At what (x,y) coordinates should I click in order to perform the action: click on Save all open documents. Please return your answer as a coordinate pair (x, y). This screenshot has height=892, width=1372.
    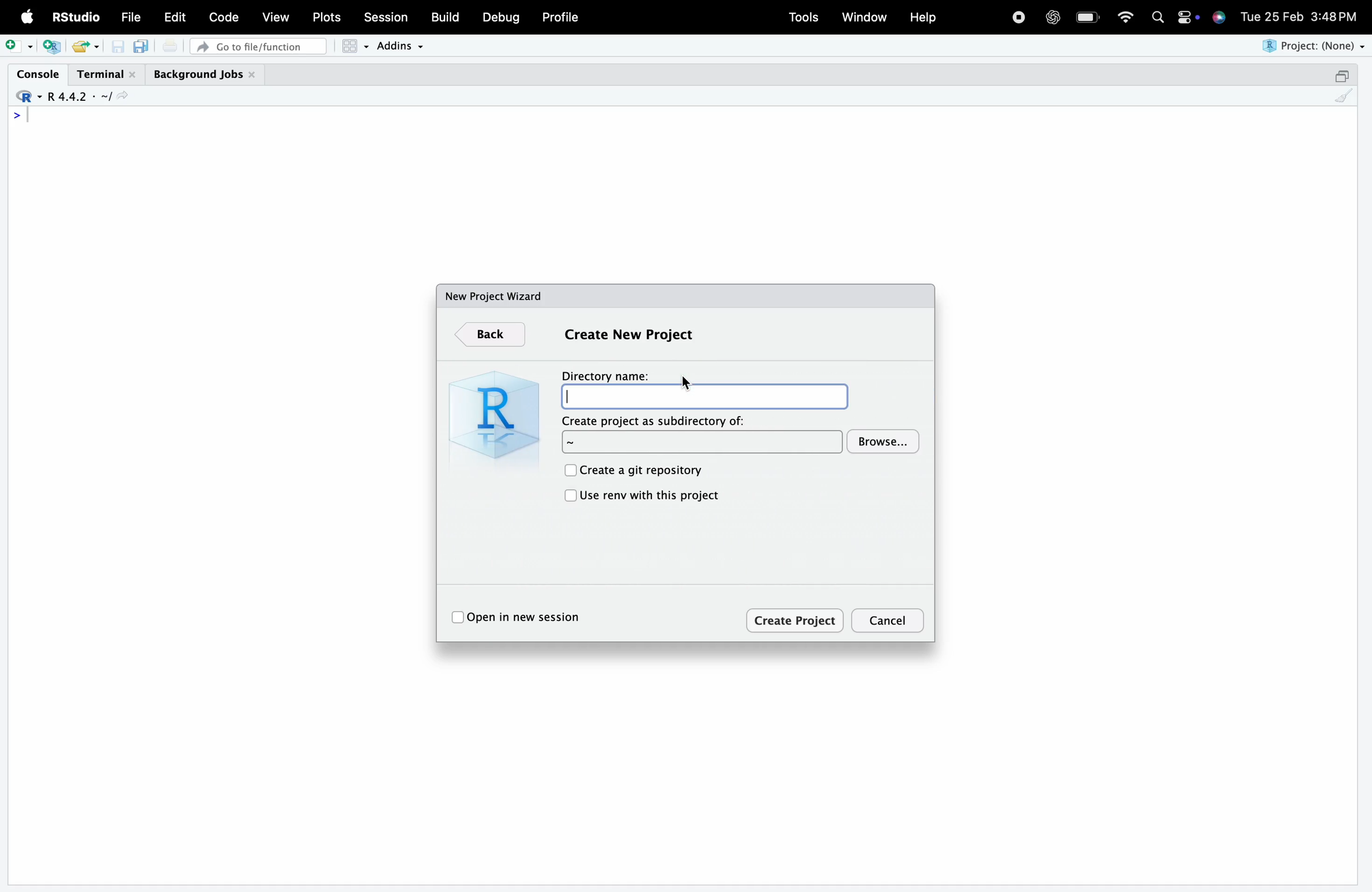
    Looking at the image, I should click on (142, 46).